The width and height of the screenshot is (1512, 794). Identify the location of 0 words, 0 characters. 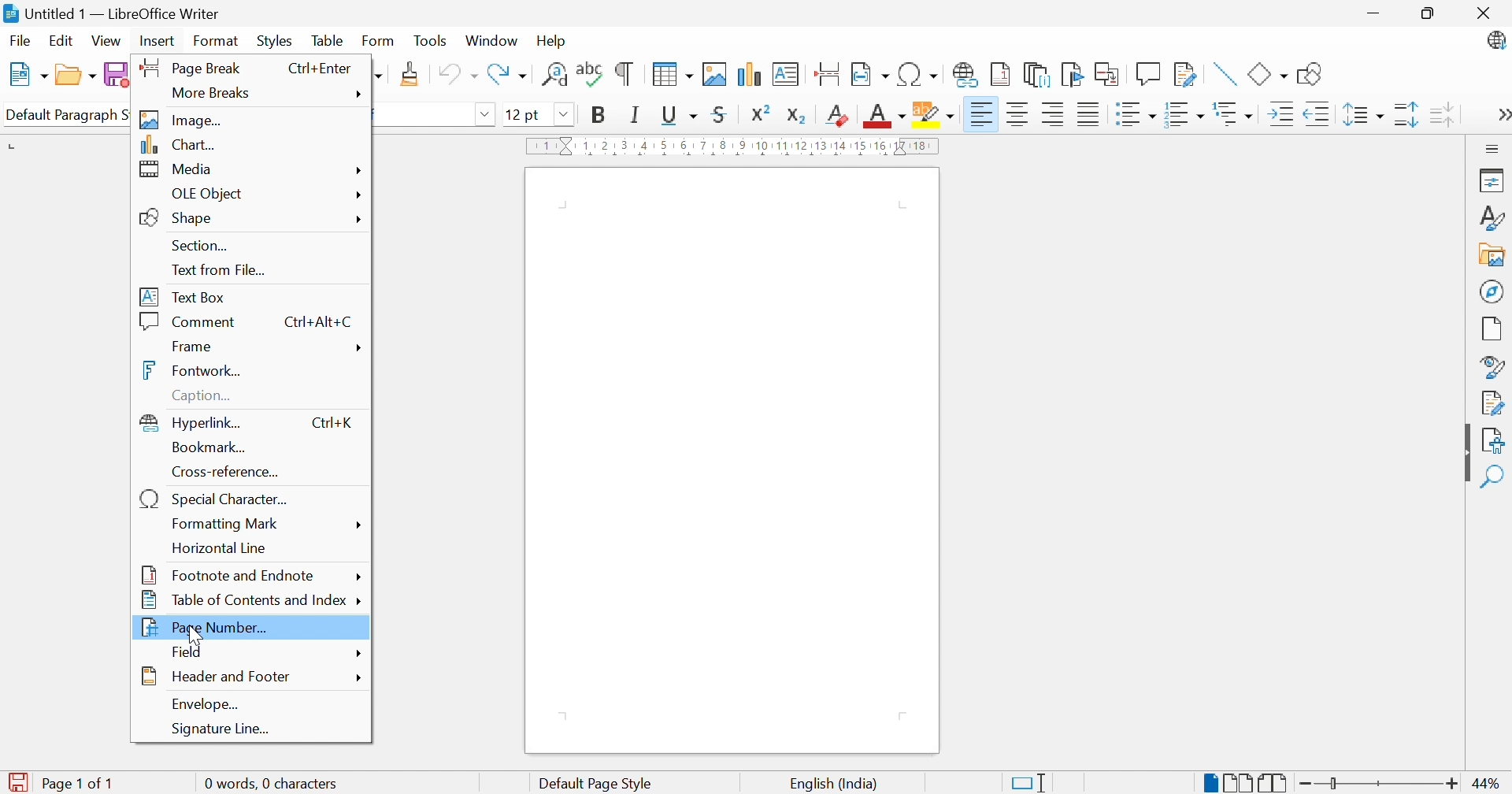
(280, 783).